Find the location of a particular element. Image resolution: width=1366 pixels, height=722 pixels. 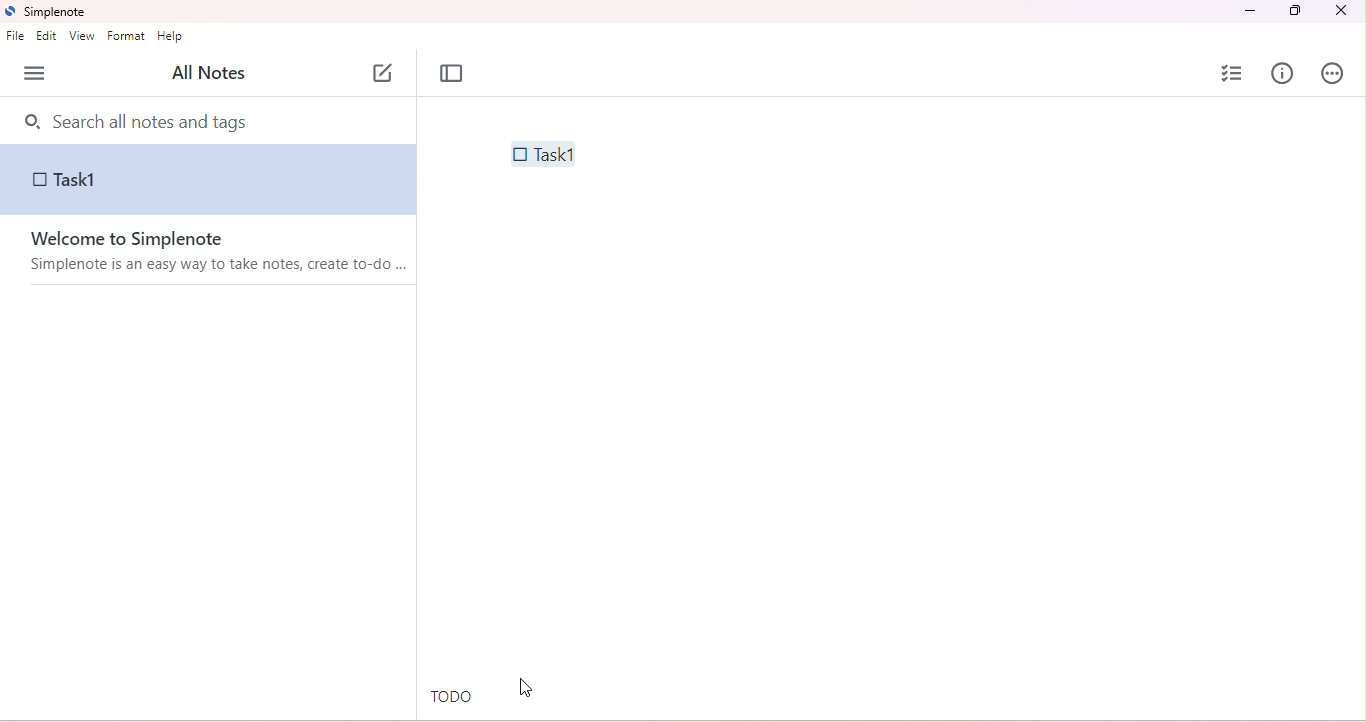

file is located at coordinates (15, 37).